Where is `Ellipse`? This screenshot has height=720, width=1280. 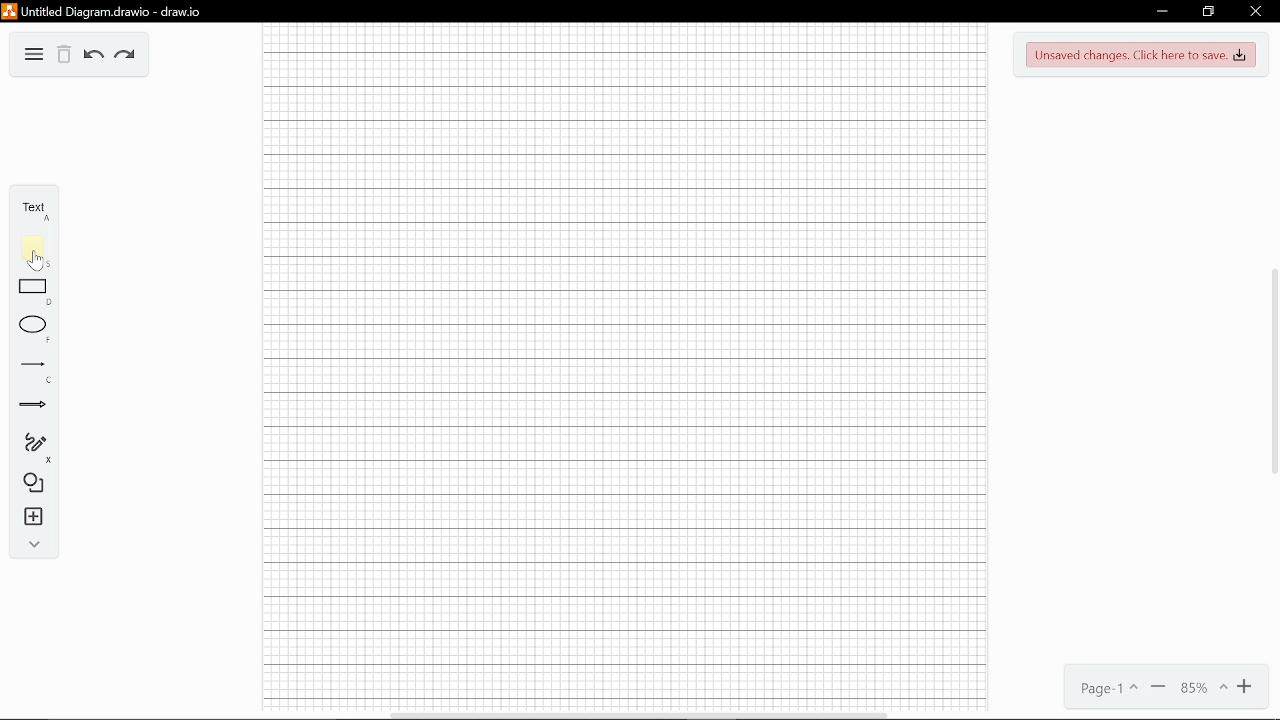
Ellipse is located at coordinates (33, 326).